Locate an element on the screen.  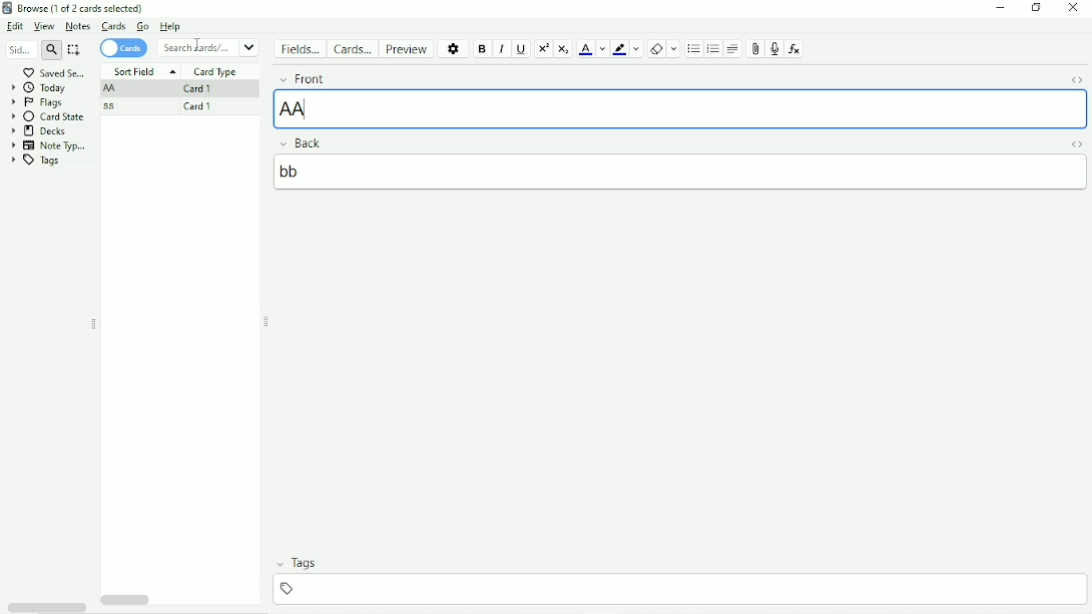
Help is located at coordinates (171, 27).